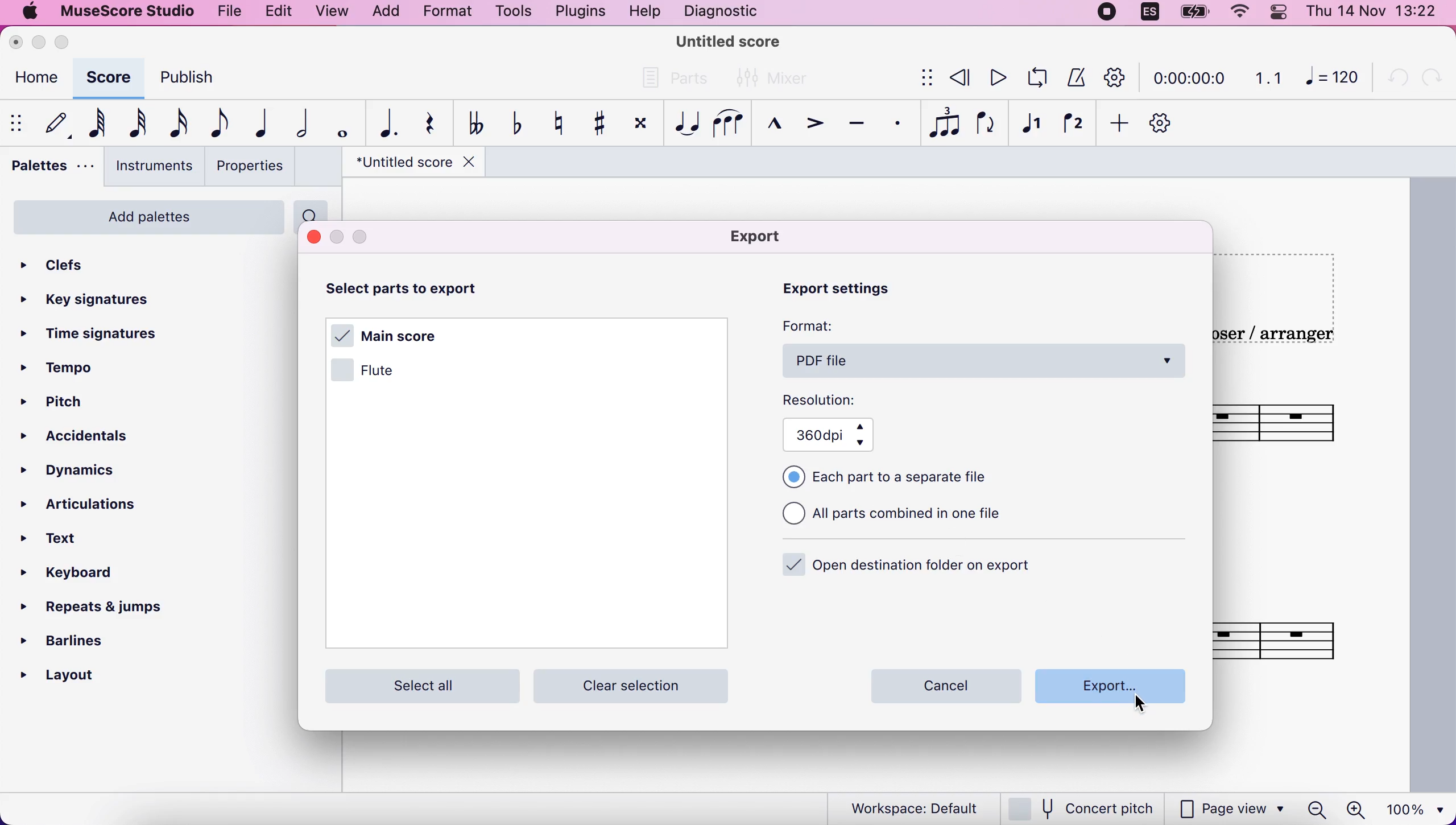 This screenshot has height=825, width=1456. What do you see at coordinates (1107, 689) in the screenshot?
I see `export` at bounding box center [1107, 689].